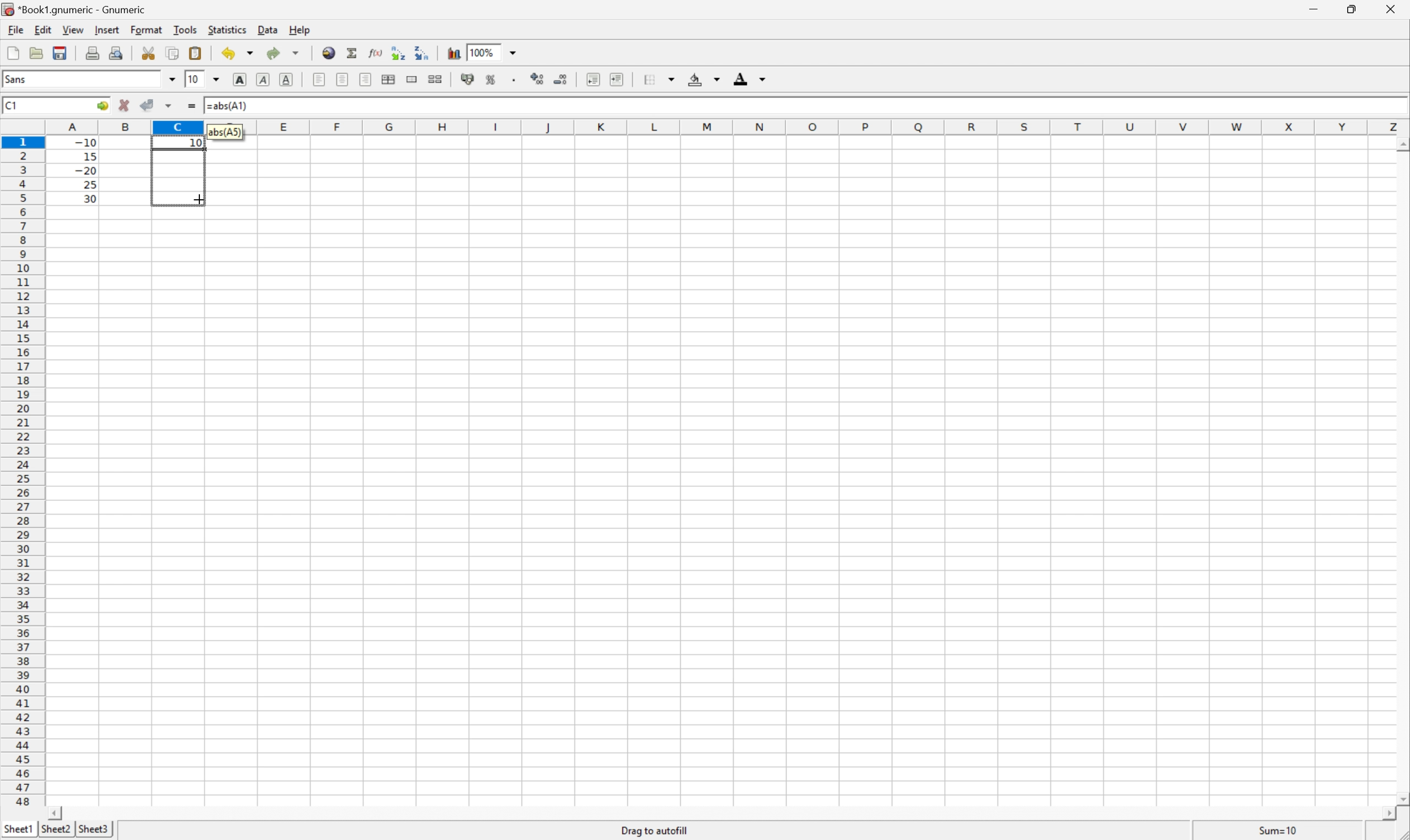  What do you see at coordinates (343, 79) in the screenshot?
I see `center horizontally` at bounding box center [343, 79].